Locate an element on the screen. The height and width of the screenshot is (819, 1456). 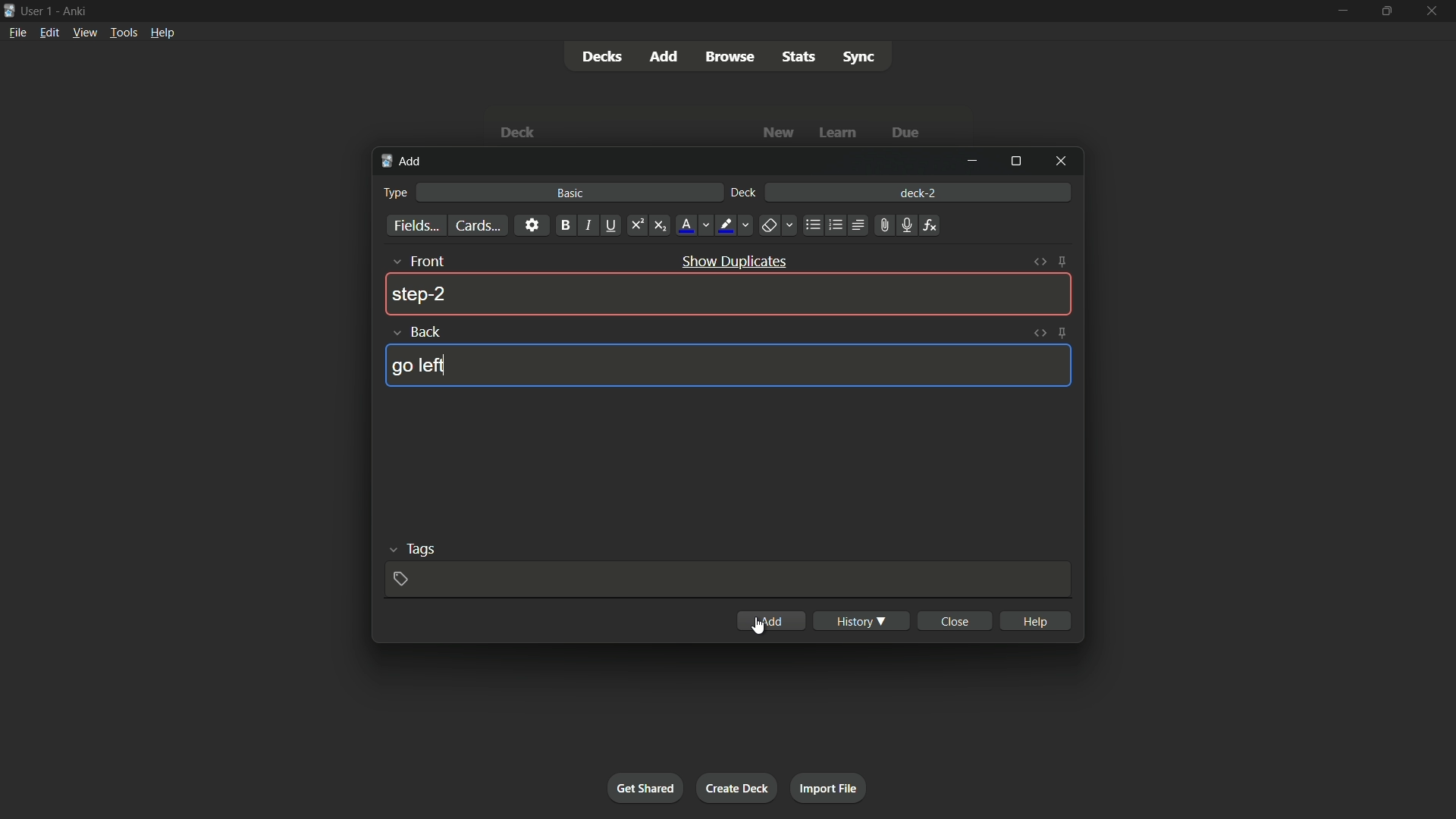
remove formatting is located at coordinates (778, 226).